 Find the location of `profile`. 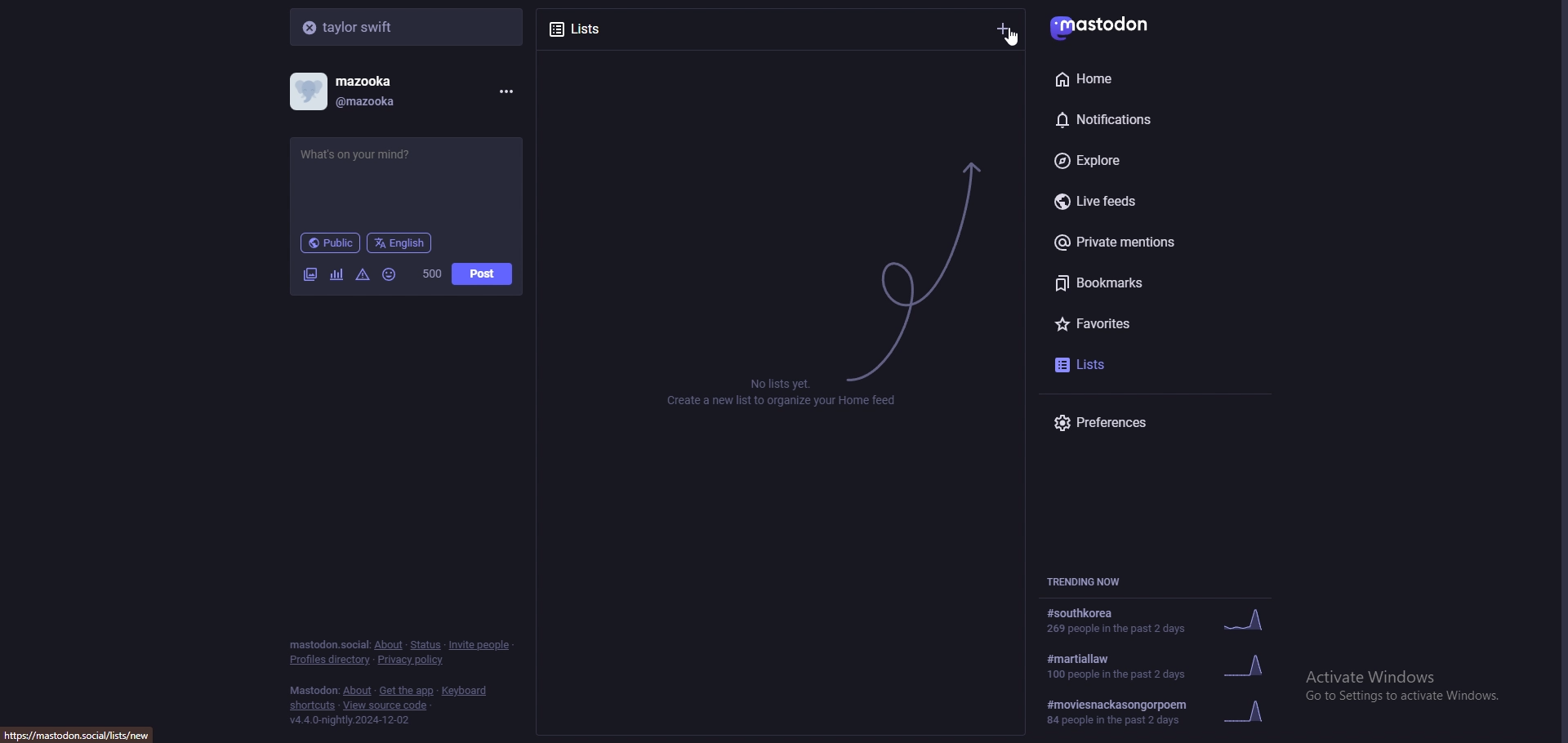

profile is located at coordinates (356, 91).